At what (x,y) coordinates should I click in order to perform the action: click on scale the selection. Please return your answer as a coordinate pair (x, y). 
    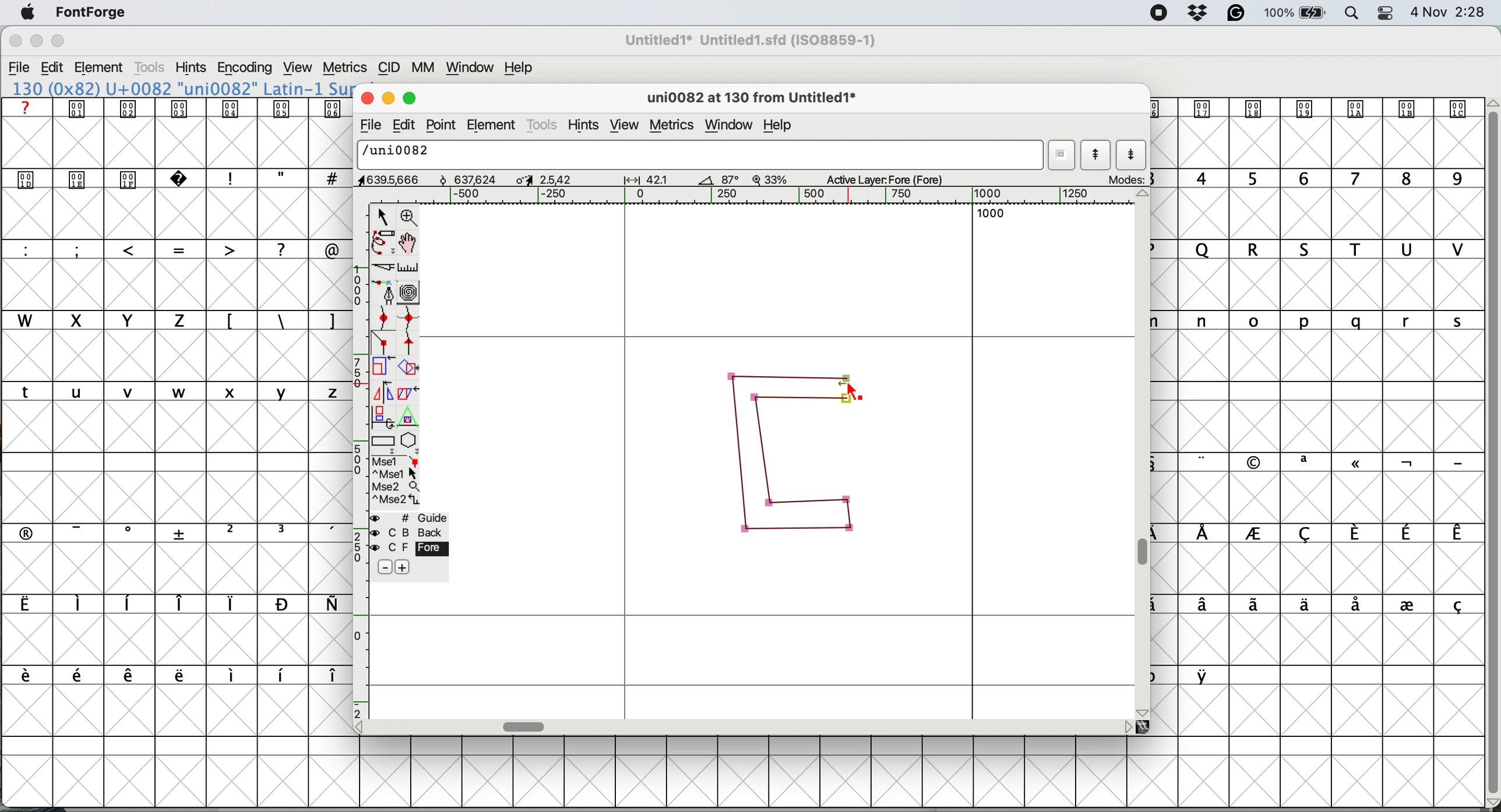
    Looking at the image, I should click on (383, 369).